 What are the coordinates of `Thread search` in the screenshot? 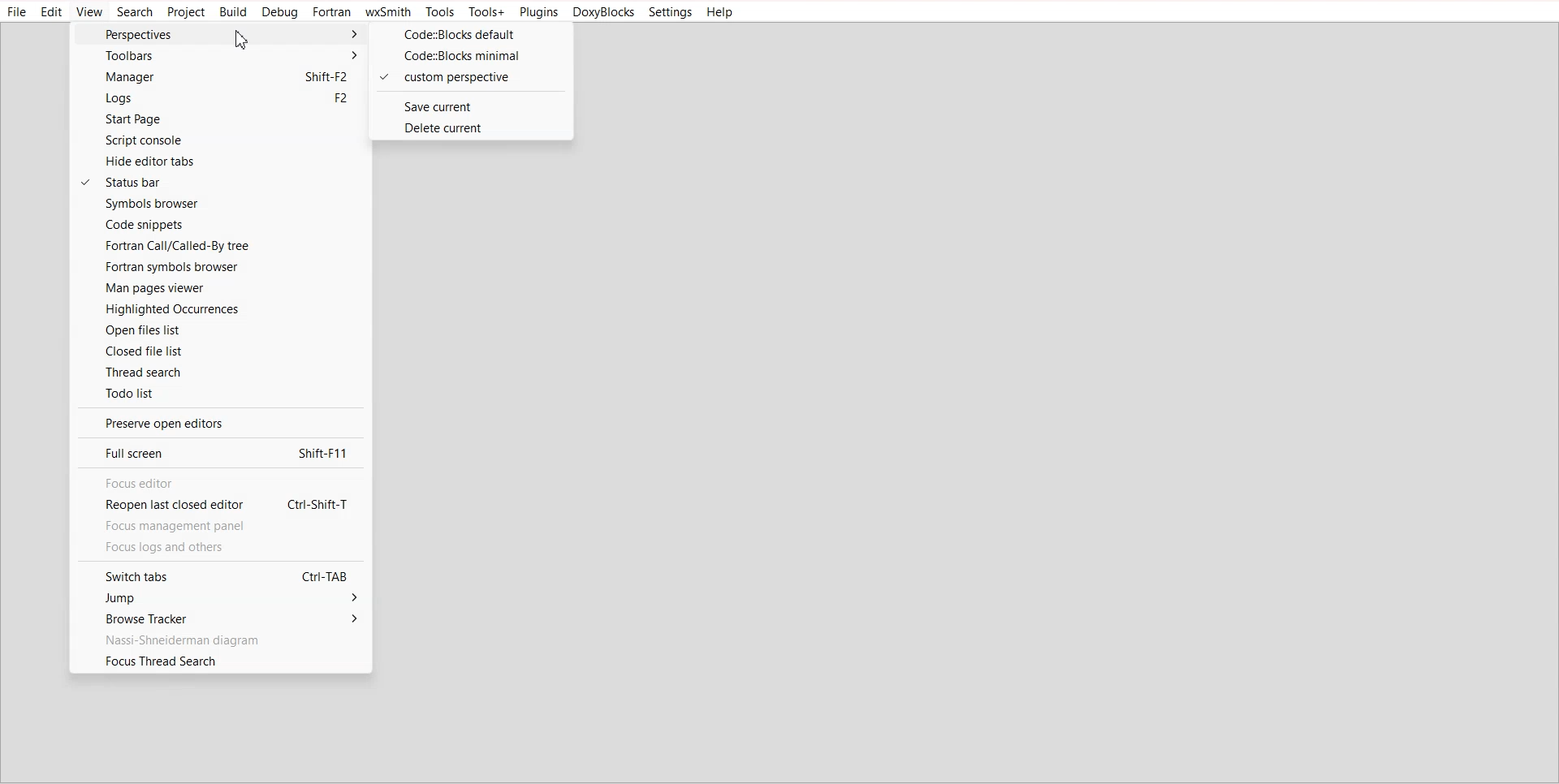 It's located at (221, 371).